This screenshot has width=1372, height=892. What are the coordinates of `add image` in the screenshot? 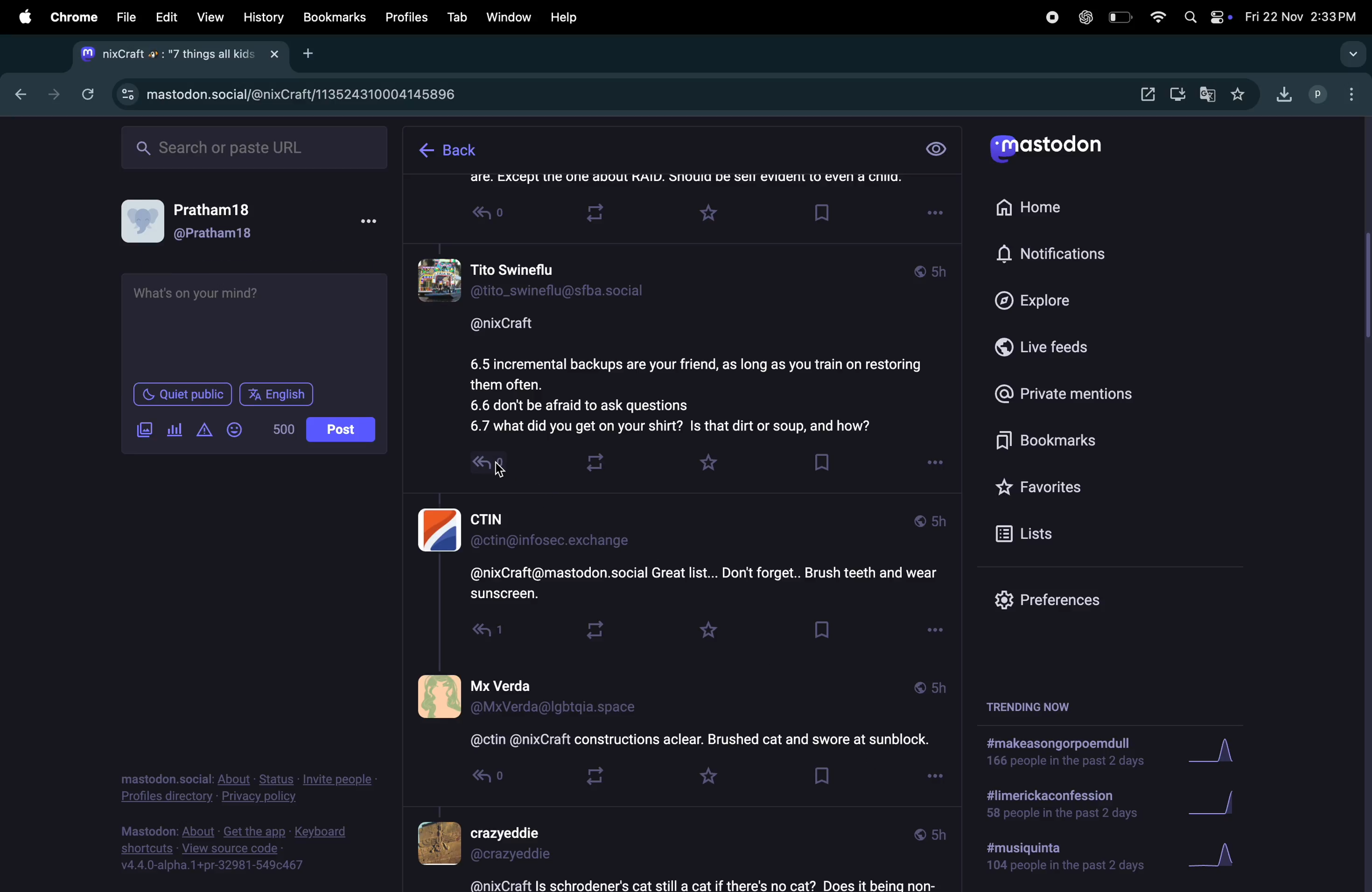 It's located at (141, 429).